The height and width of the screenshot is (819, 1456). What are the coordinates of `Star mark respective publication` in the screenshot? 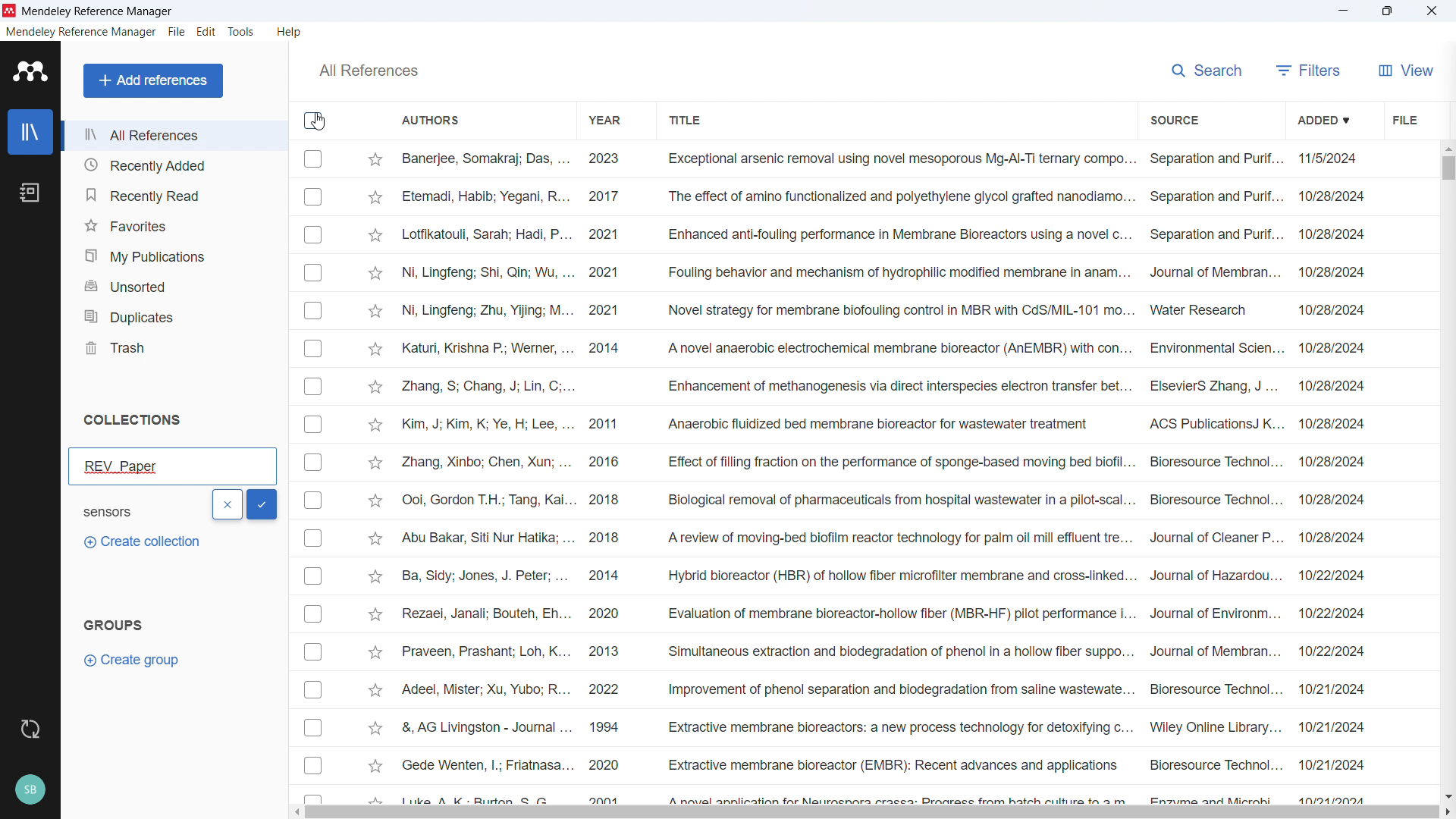 It's located at (376, 349).